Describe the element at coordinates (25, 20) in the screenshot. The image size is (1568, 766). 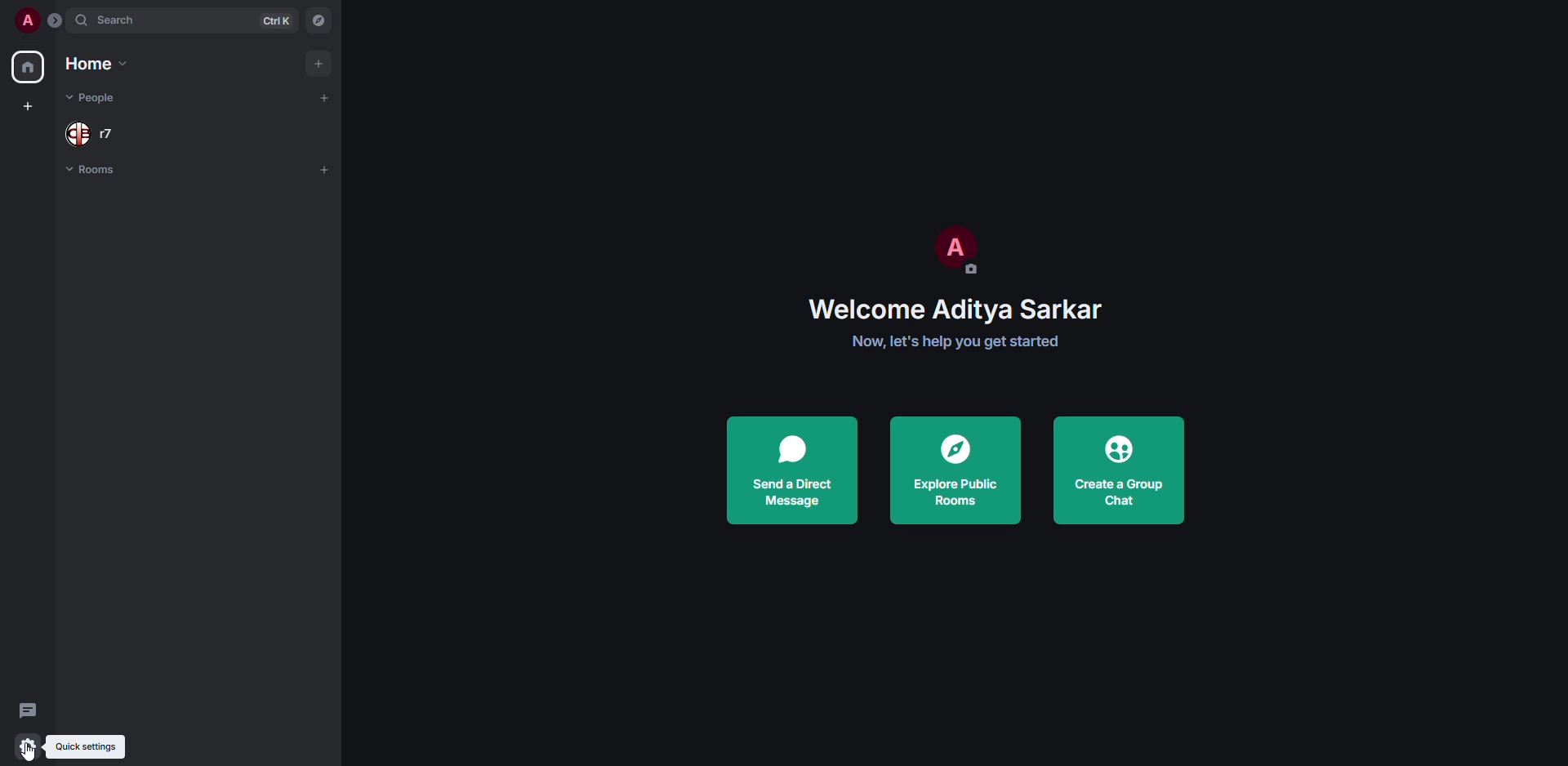
I see `profile` at that location.